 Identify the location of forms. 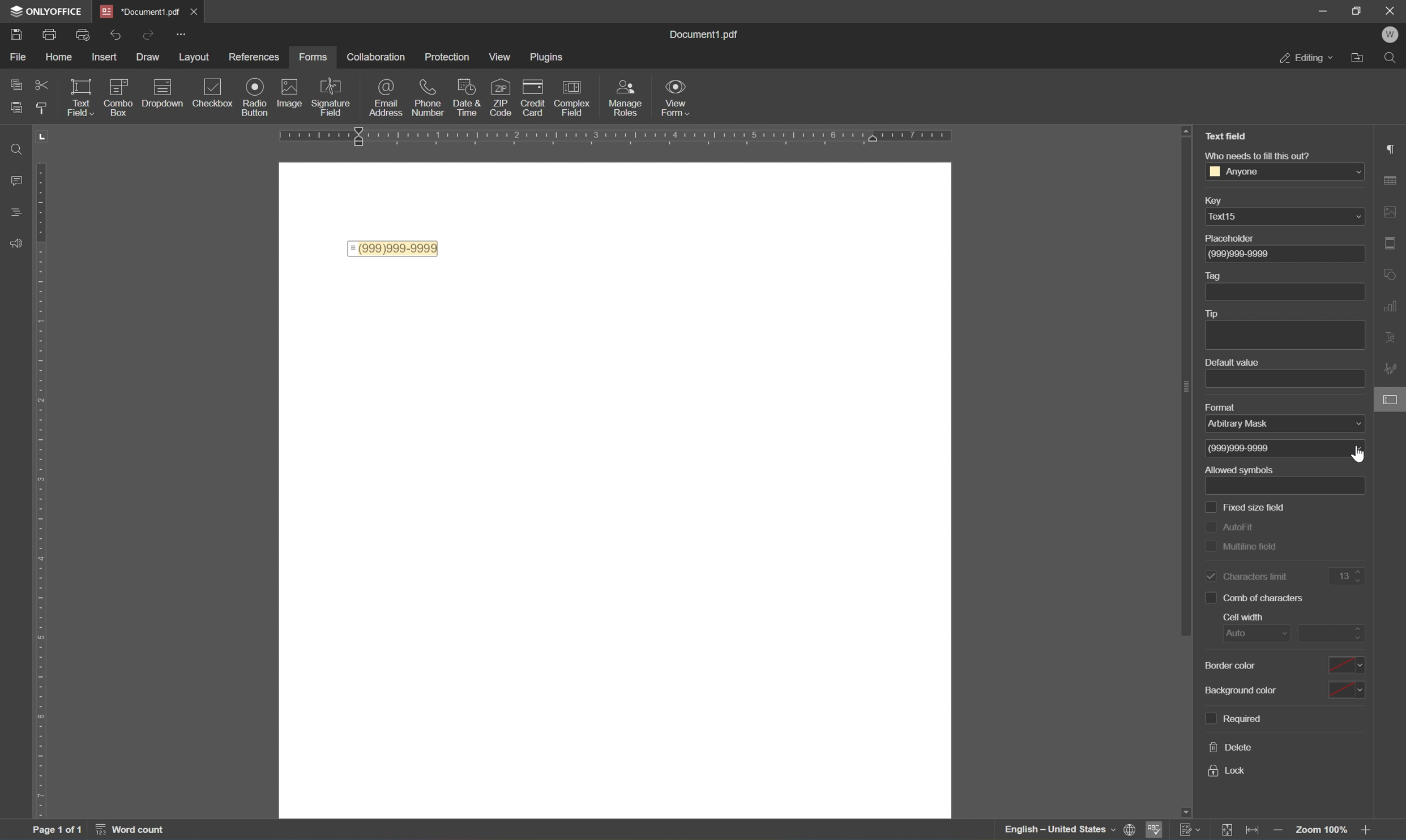
(314, 58).